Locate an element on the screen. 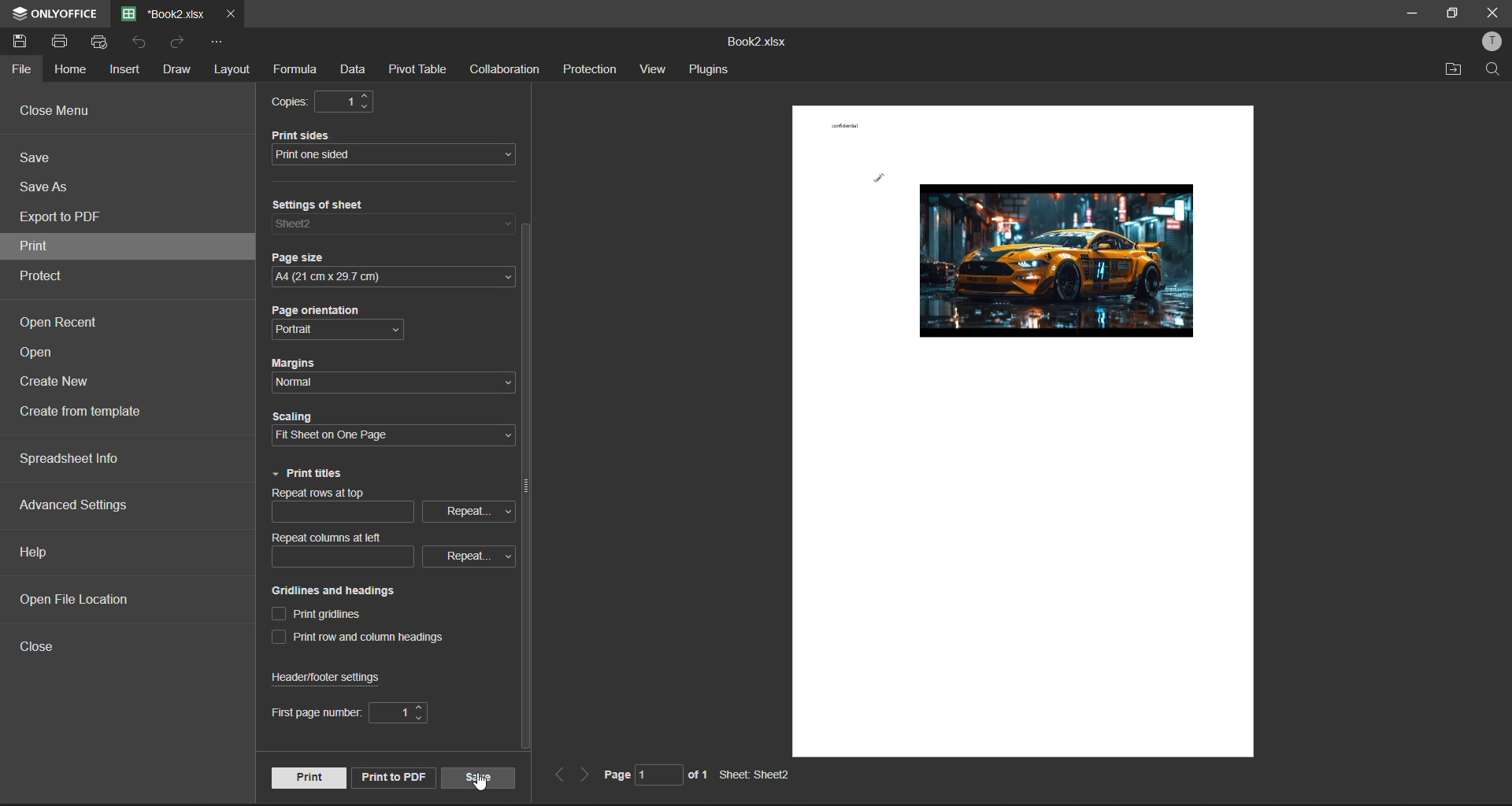 Image resolution: width=1512 pixels, height=806 pixels. view is located at coordinates (652, 72).